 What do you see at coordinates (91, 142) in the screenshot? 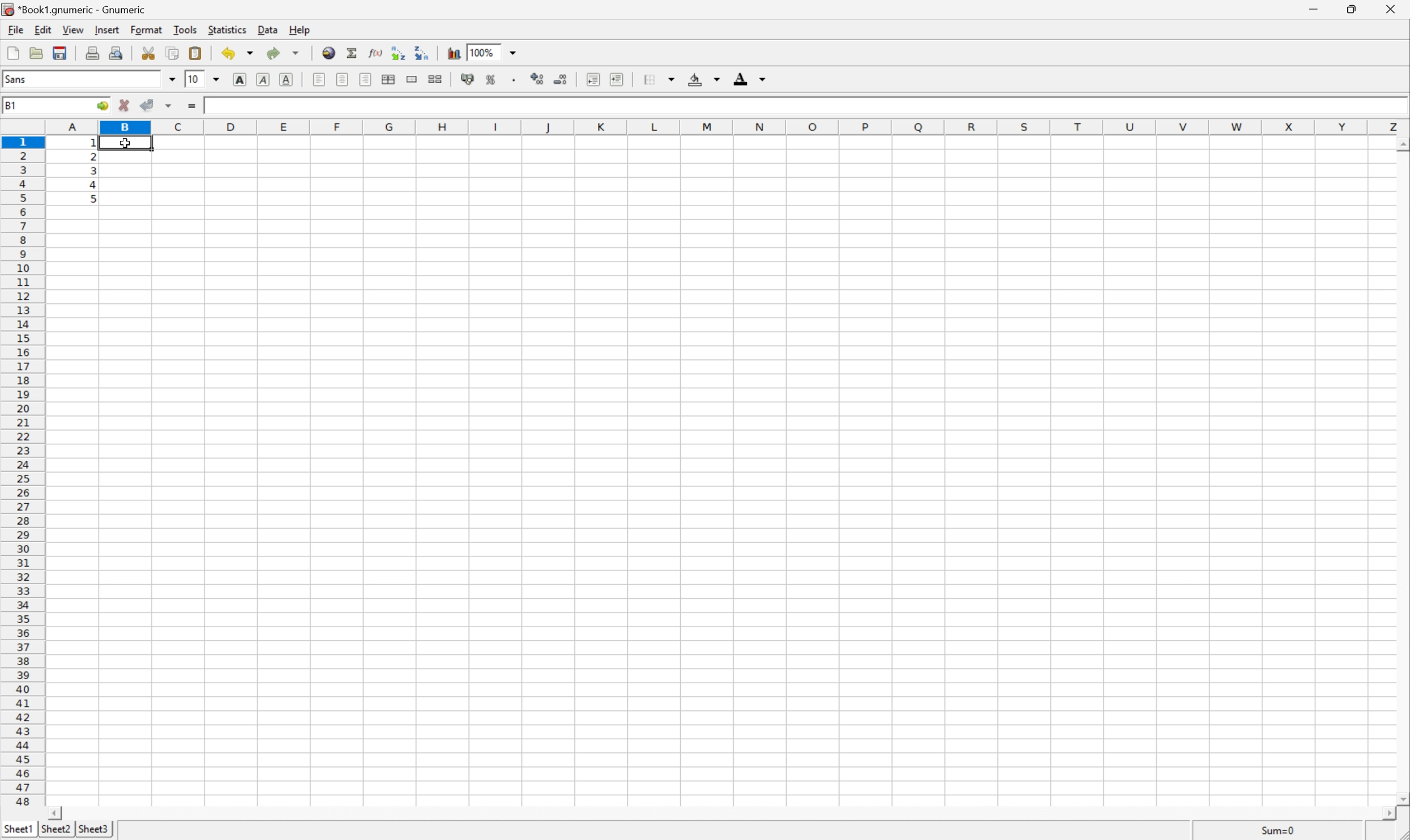
I see `` at bounding box center [91, 142].